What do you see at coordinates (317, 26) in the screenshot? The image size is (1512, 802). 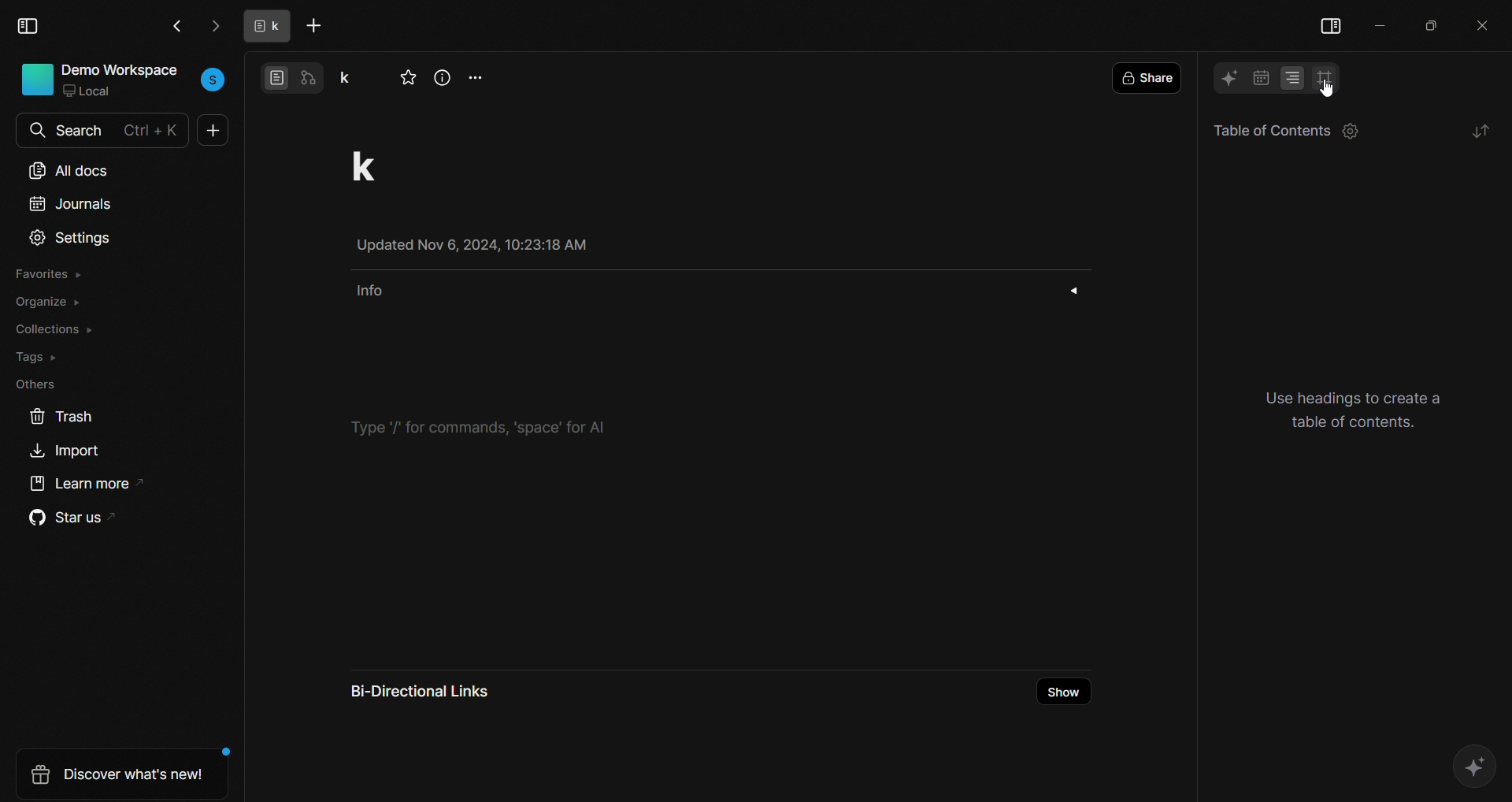 I see `add tab` at bounding box center [317, 26].